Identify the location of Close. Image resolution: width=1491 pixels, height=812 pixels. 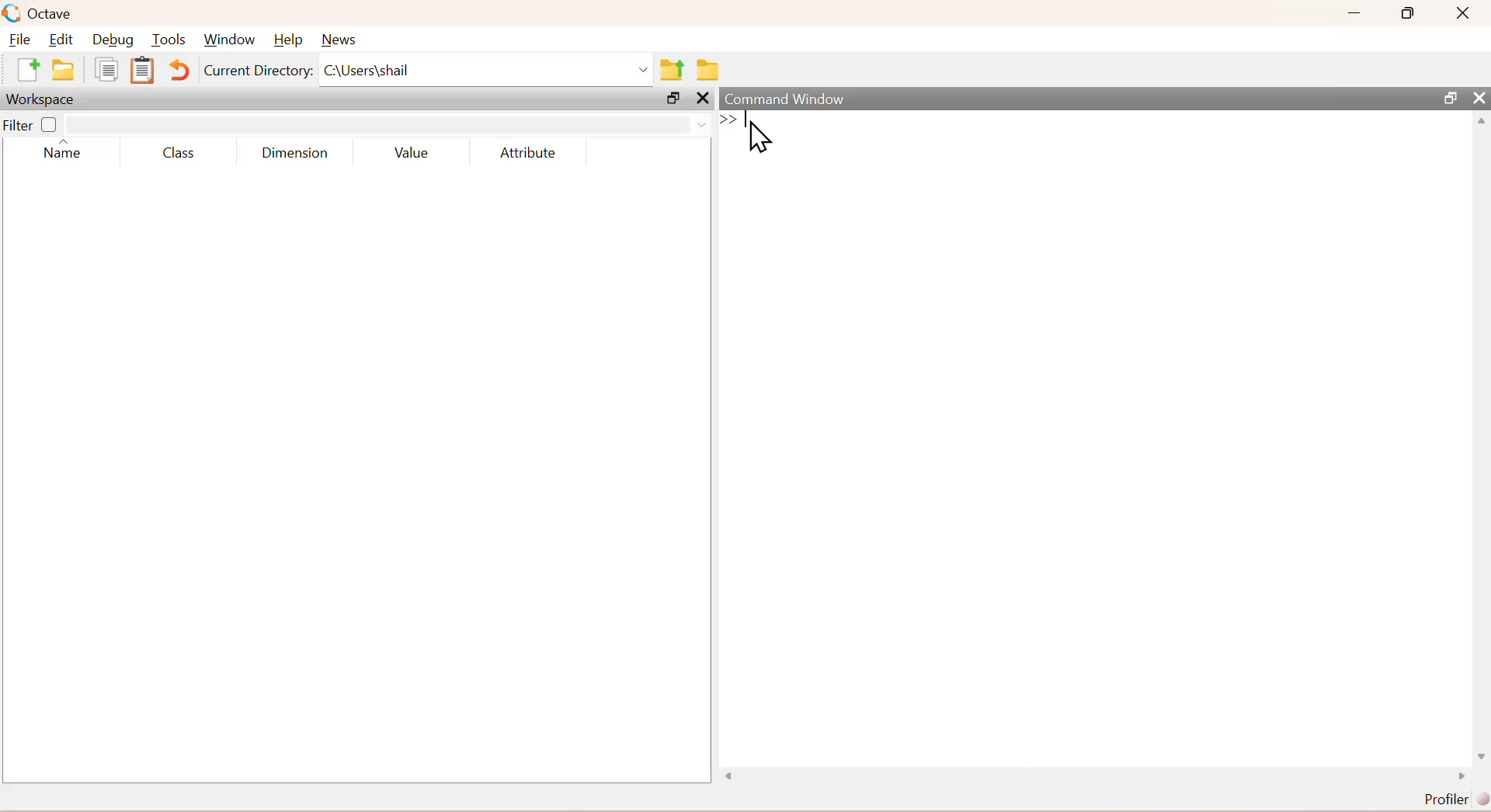
(703, 102).